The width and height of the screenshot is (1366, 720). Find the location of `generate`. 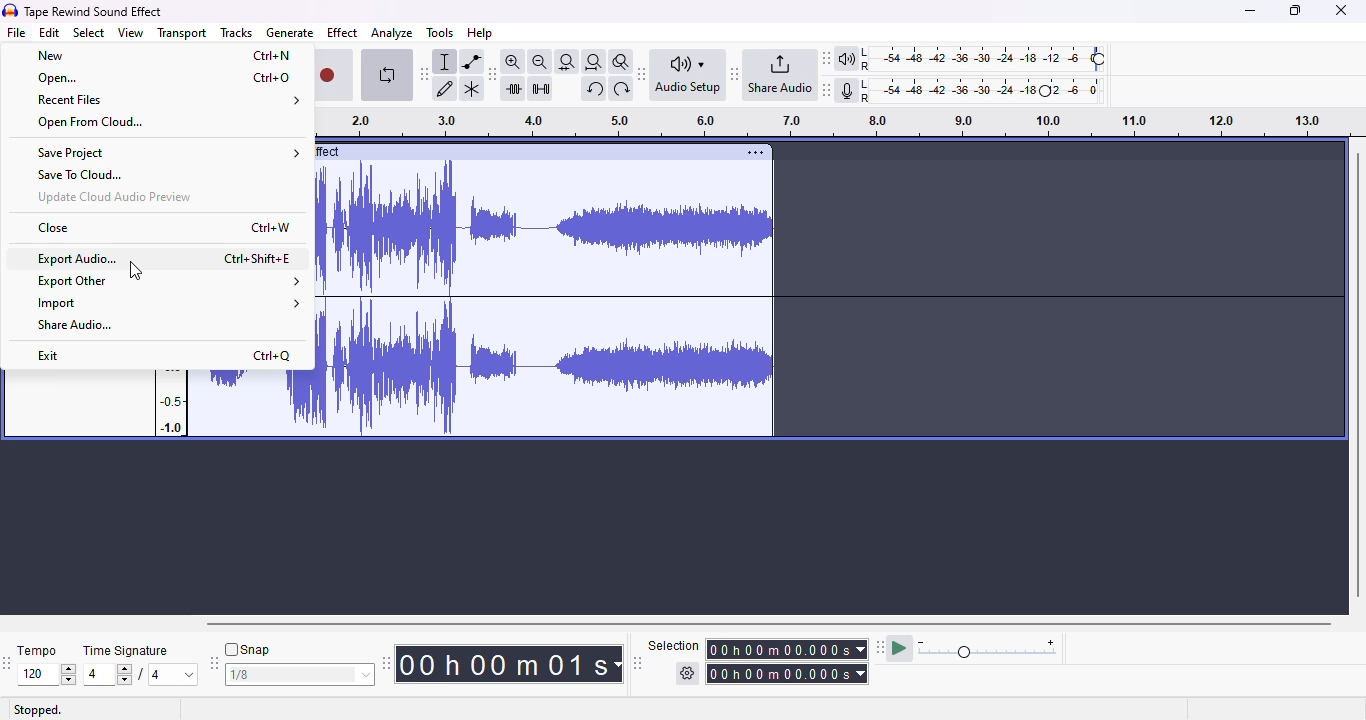

generate is located at coordinates (289, 33).